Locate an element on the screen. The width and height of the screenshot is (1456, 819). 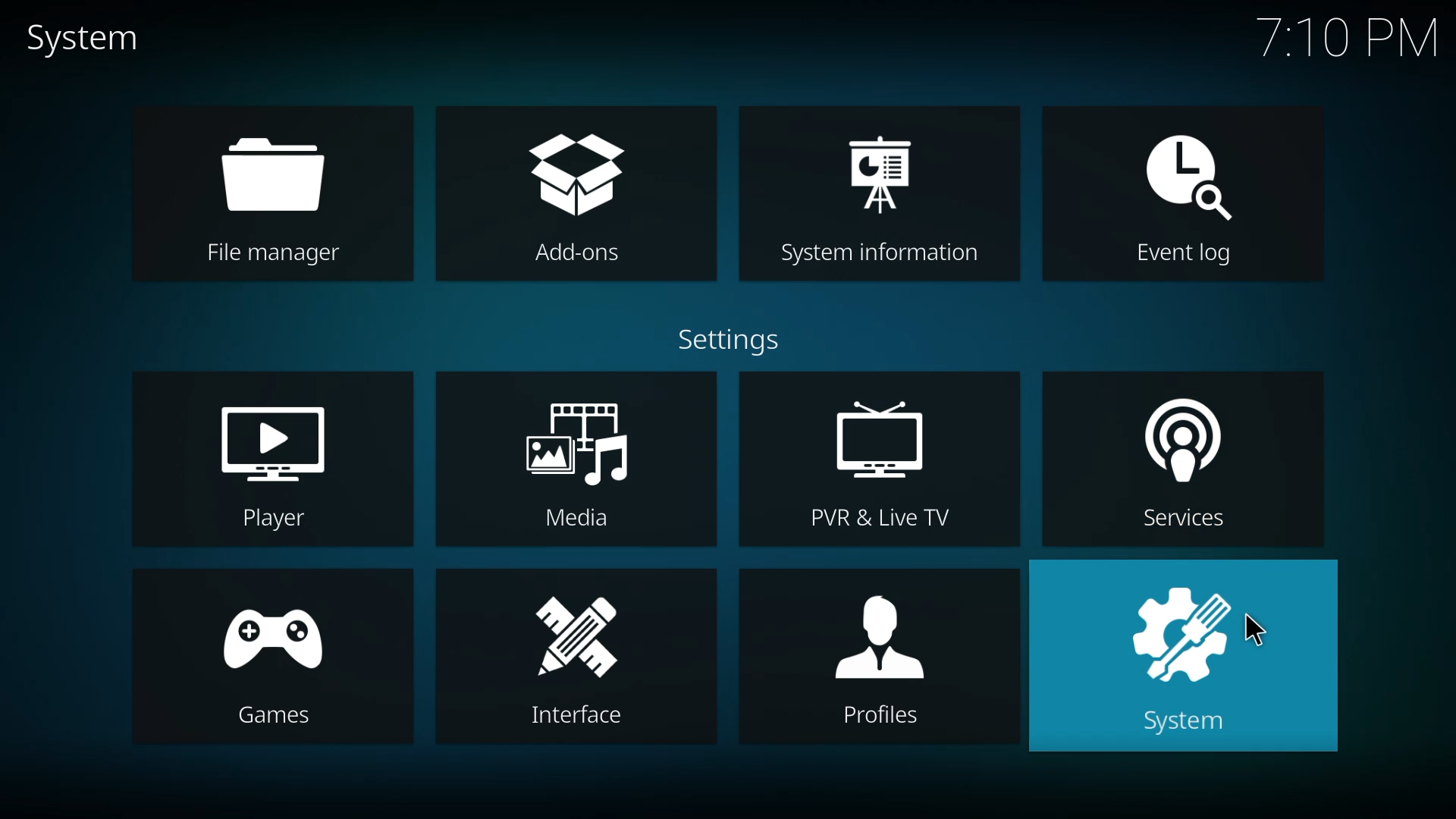
cursor is located at coordinates (1258, 631).